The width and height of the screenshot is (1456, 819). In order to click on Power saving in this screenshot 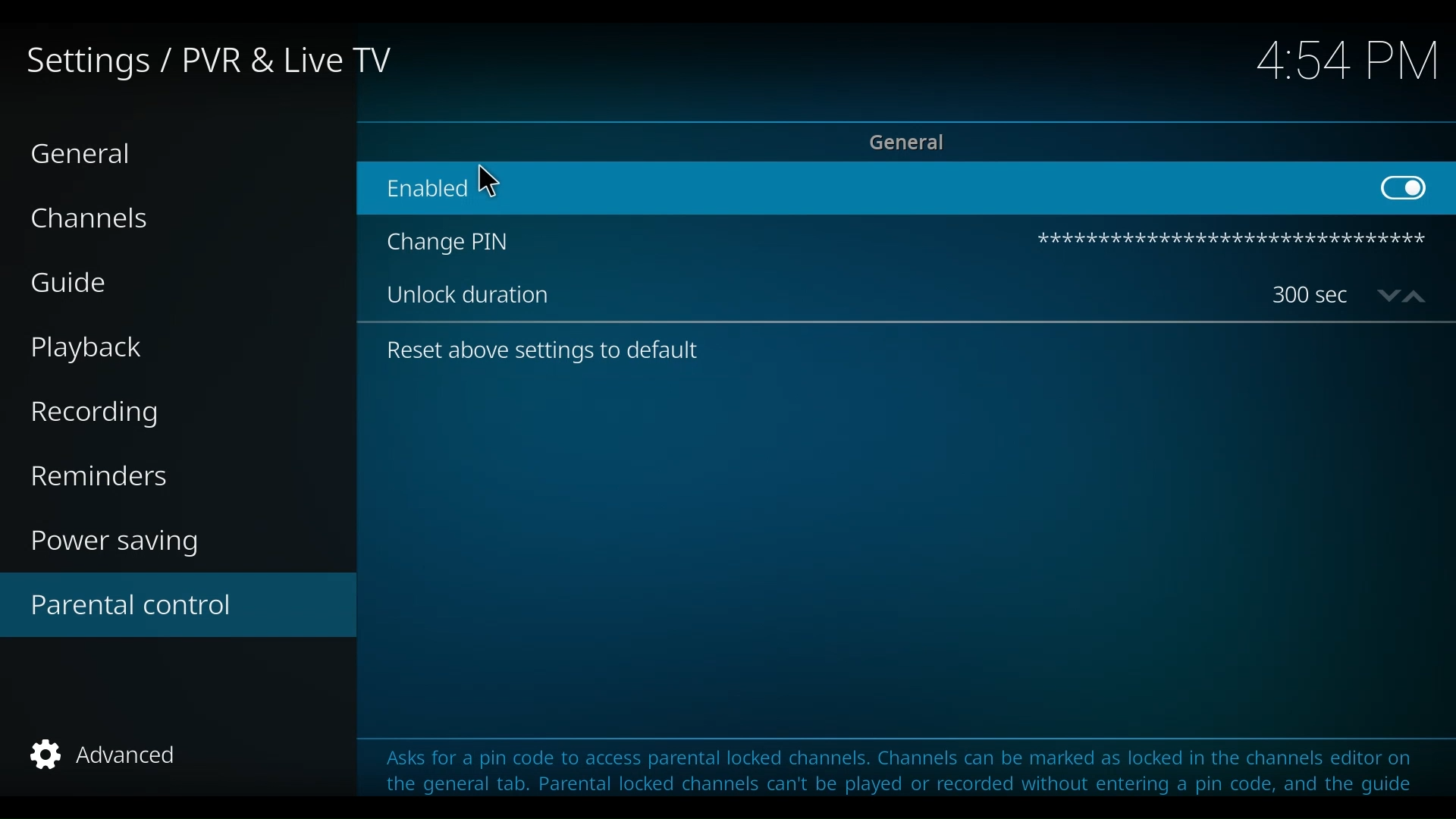, I will do `click(115, 541)`.